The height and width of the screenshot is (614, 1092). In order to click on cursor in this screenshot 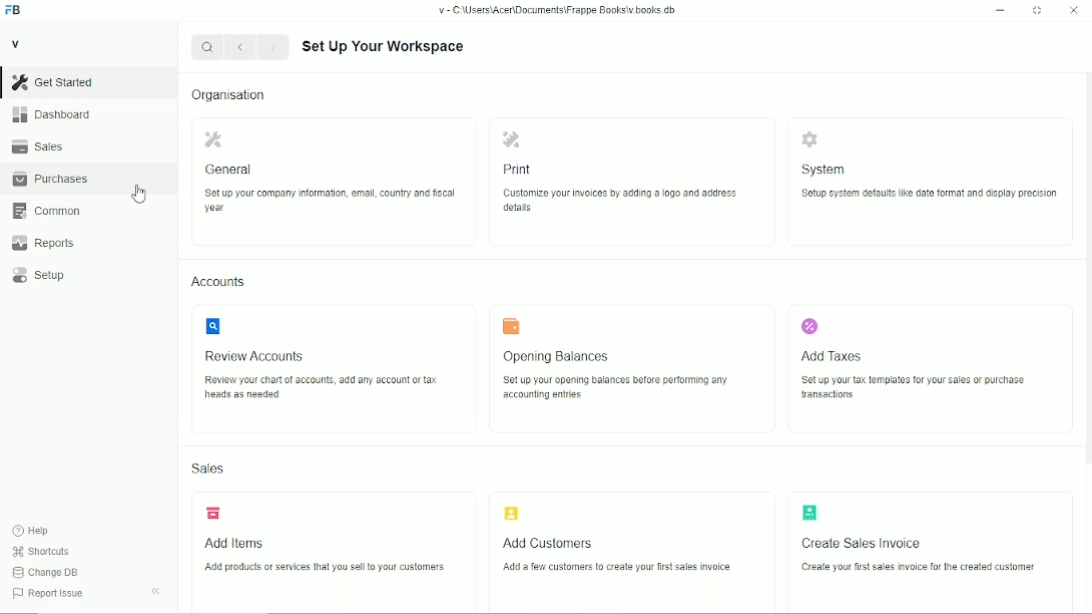, I will do `click(139, 194)`.